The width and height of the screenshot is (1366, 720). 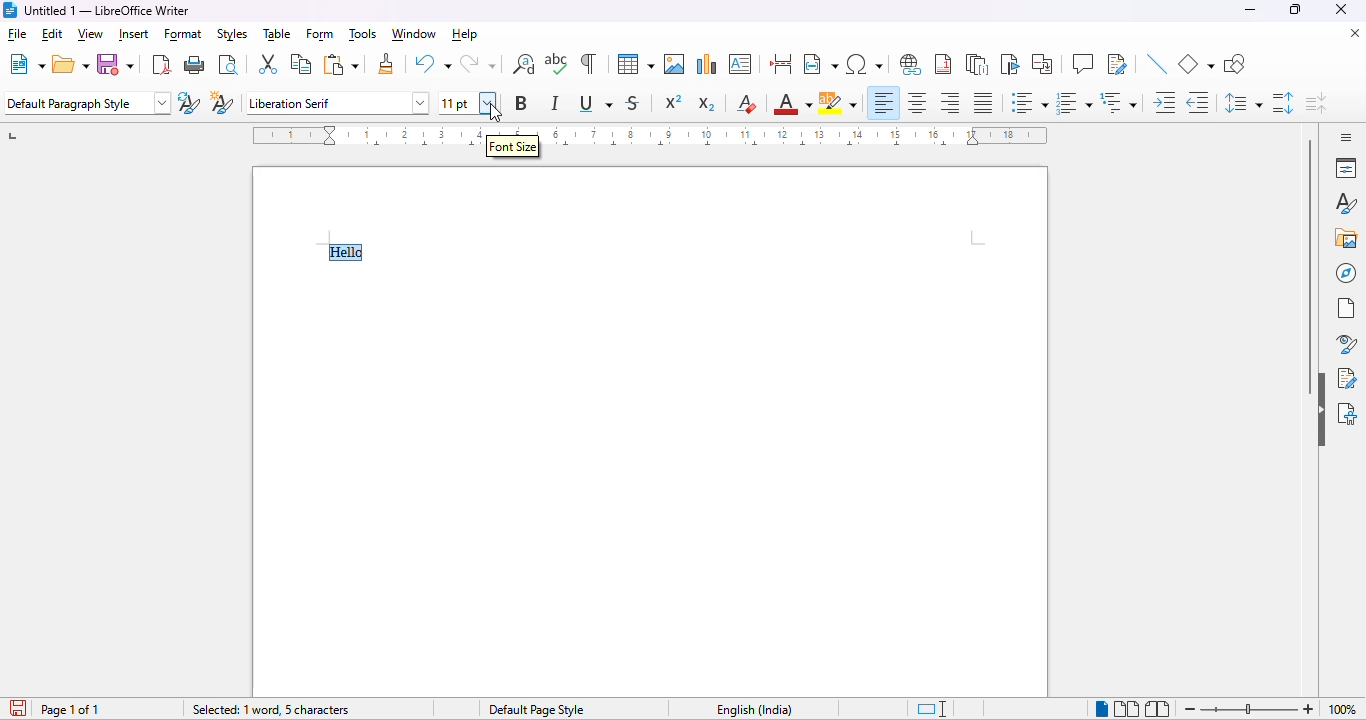 I want to click on decrease indent, so click(x=1198, y=103).